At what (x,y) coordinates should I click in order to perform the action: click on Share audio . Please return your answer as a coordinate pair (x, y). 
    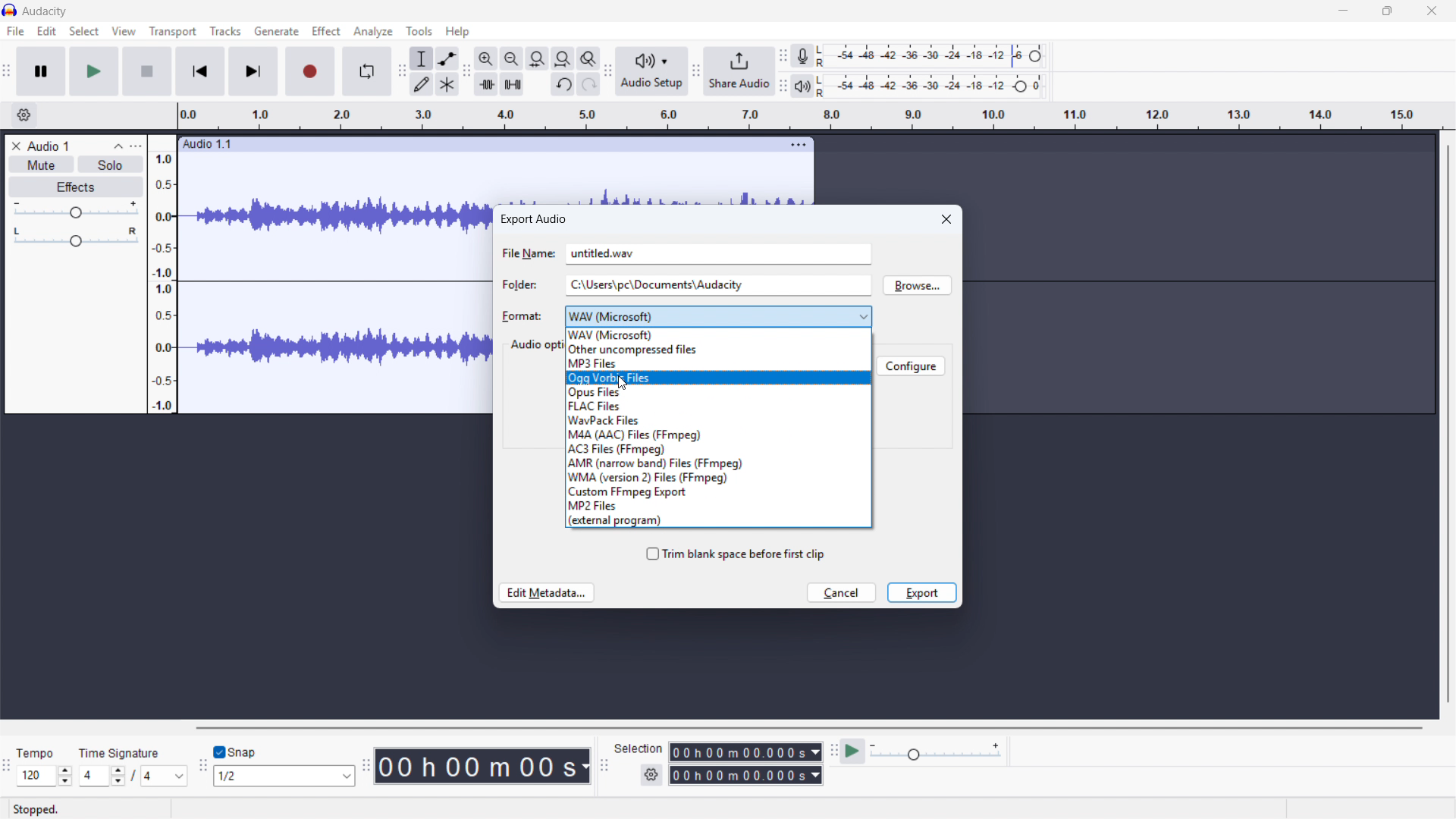
    Looking at the image, I should click on (740, 71).